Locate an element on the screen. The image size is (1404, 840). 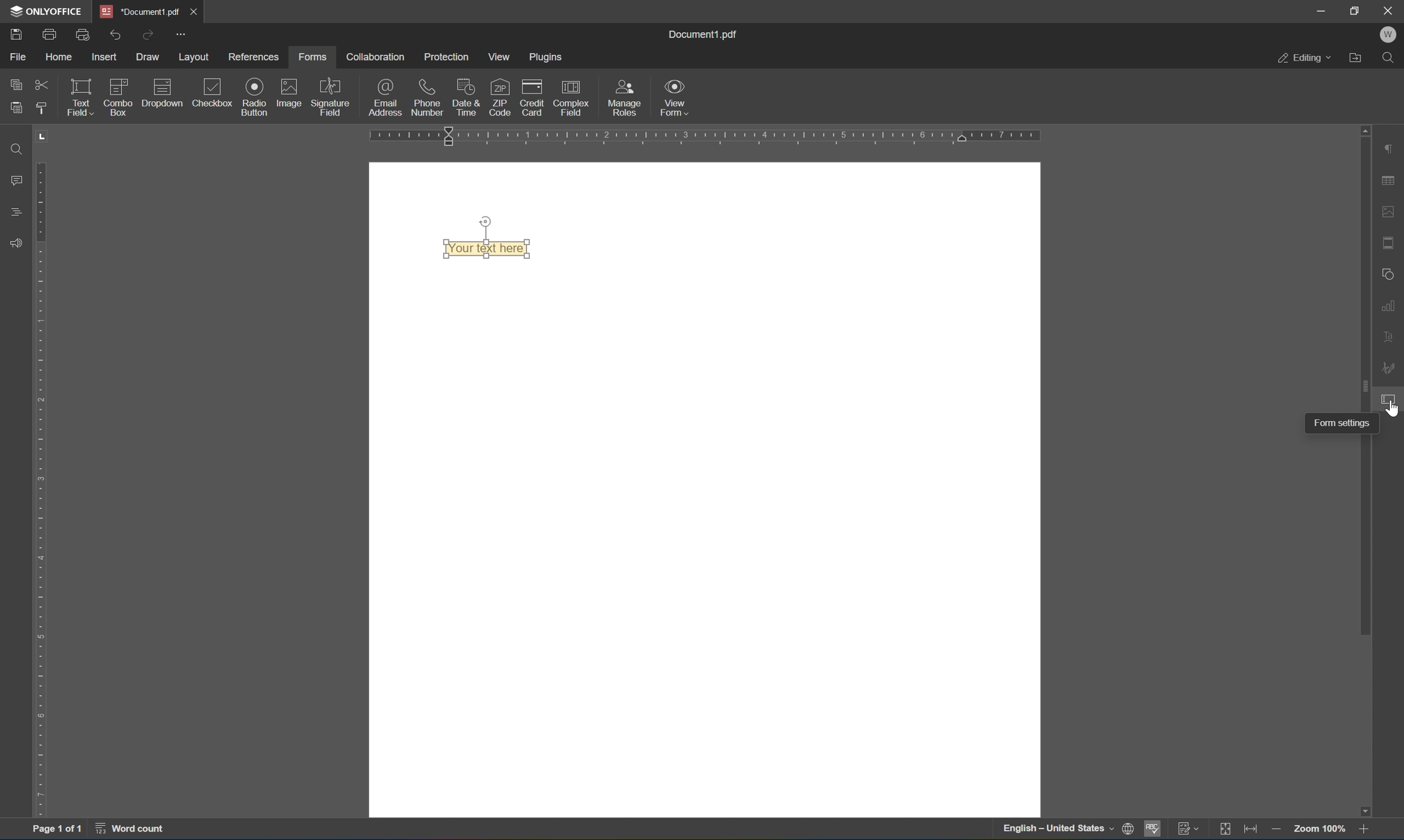
plugins is located at coordinates (544, 57).